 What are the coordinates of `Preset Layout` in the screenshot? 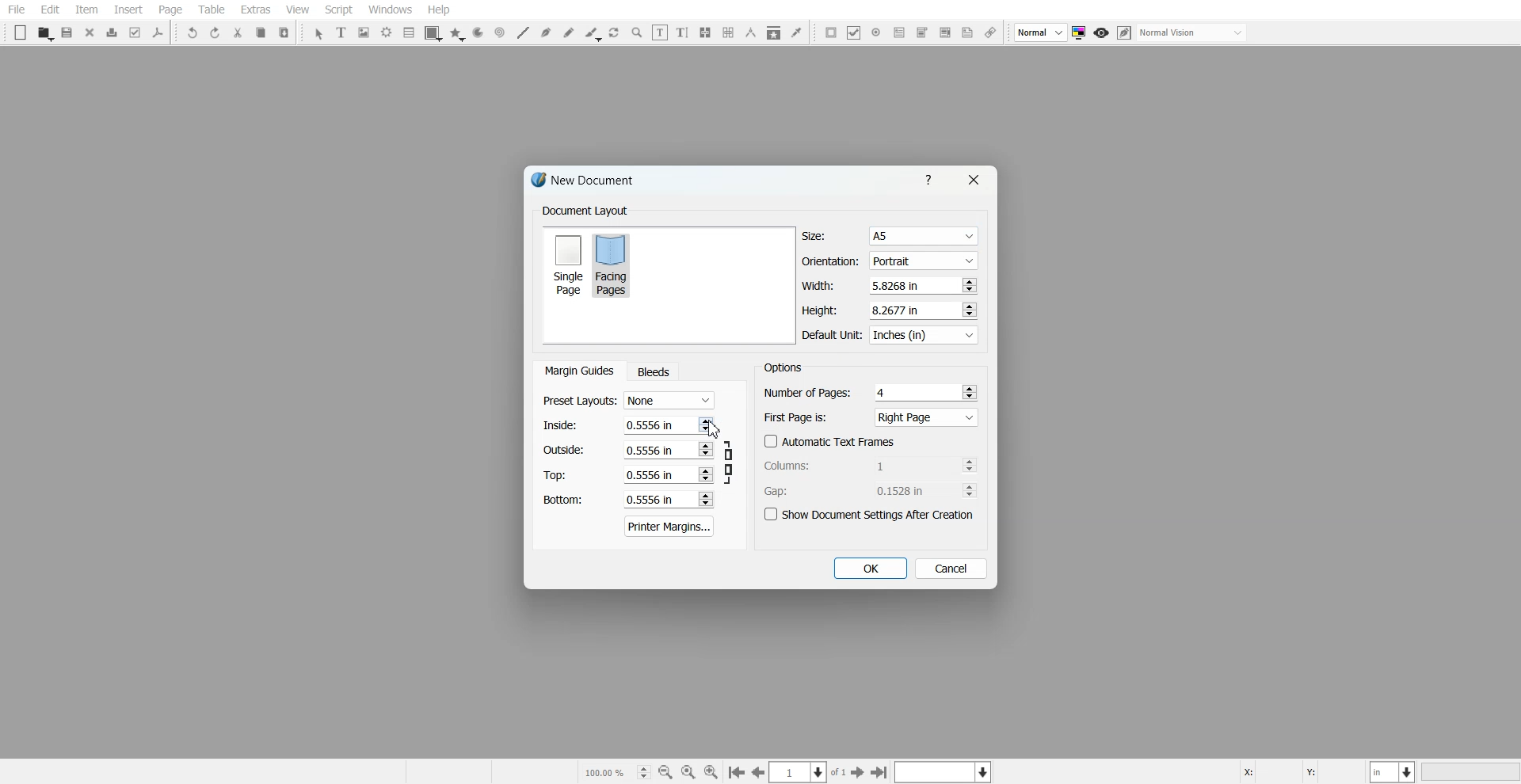 It's located at (628, 401).